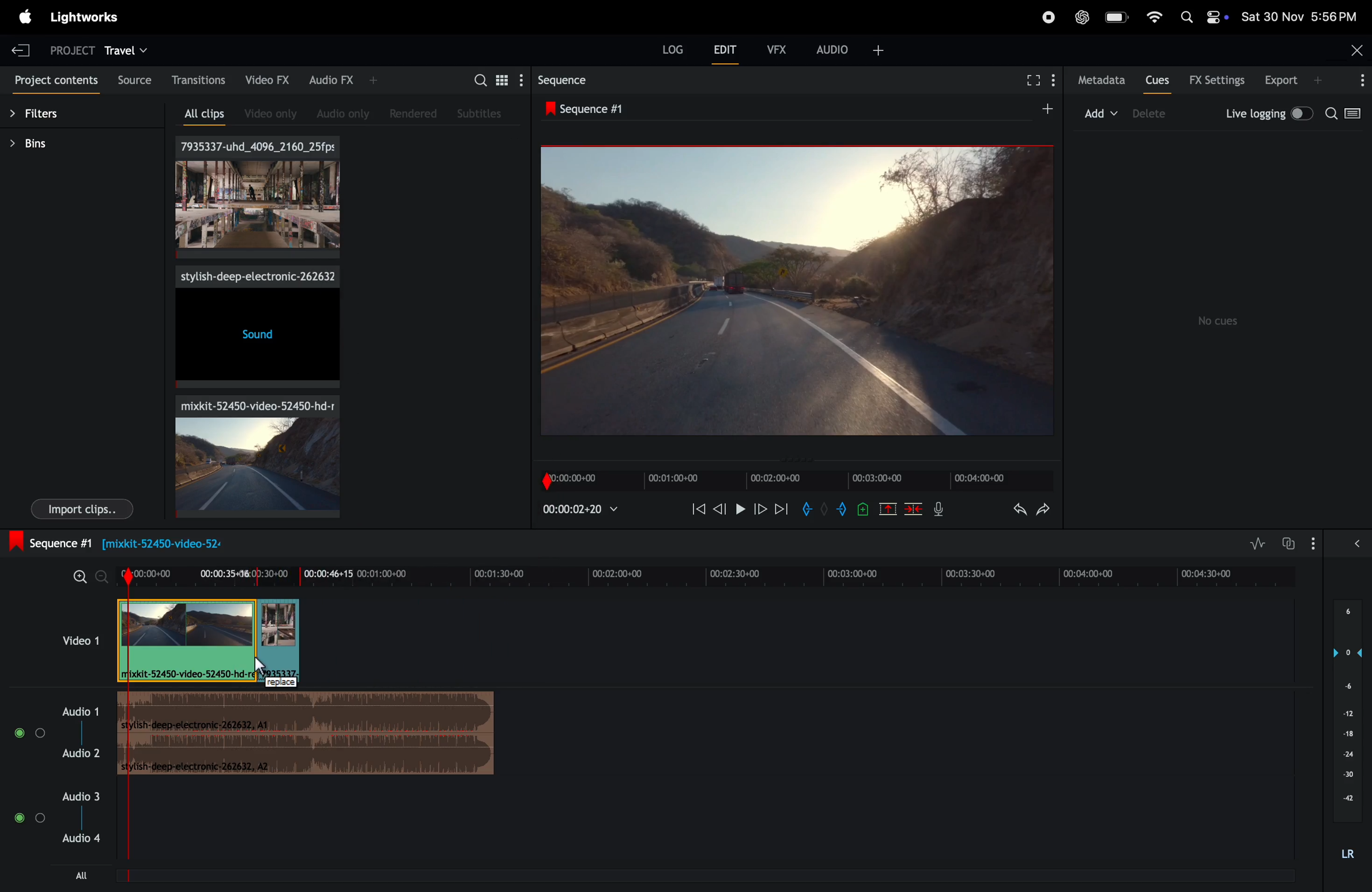 This screenshot has width=1372, height=892. Describe the element at coordinates (1012, 511) in the screenshot. I see `undo` at that location.